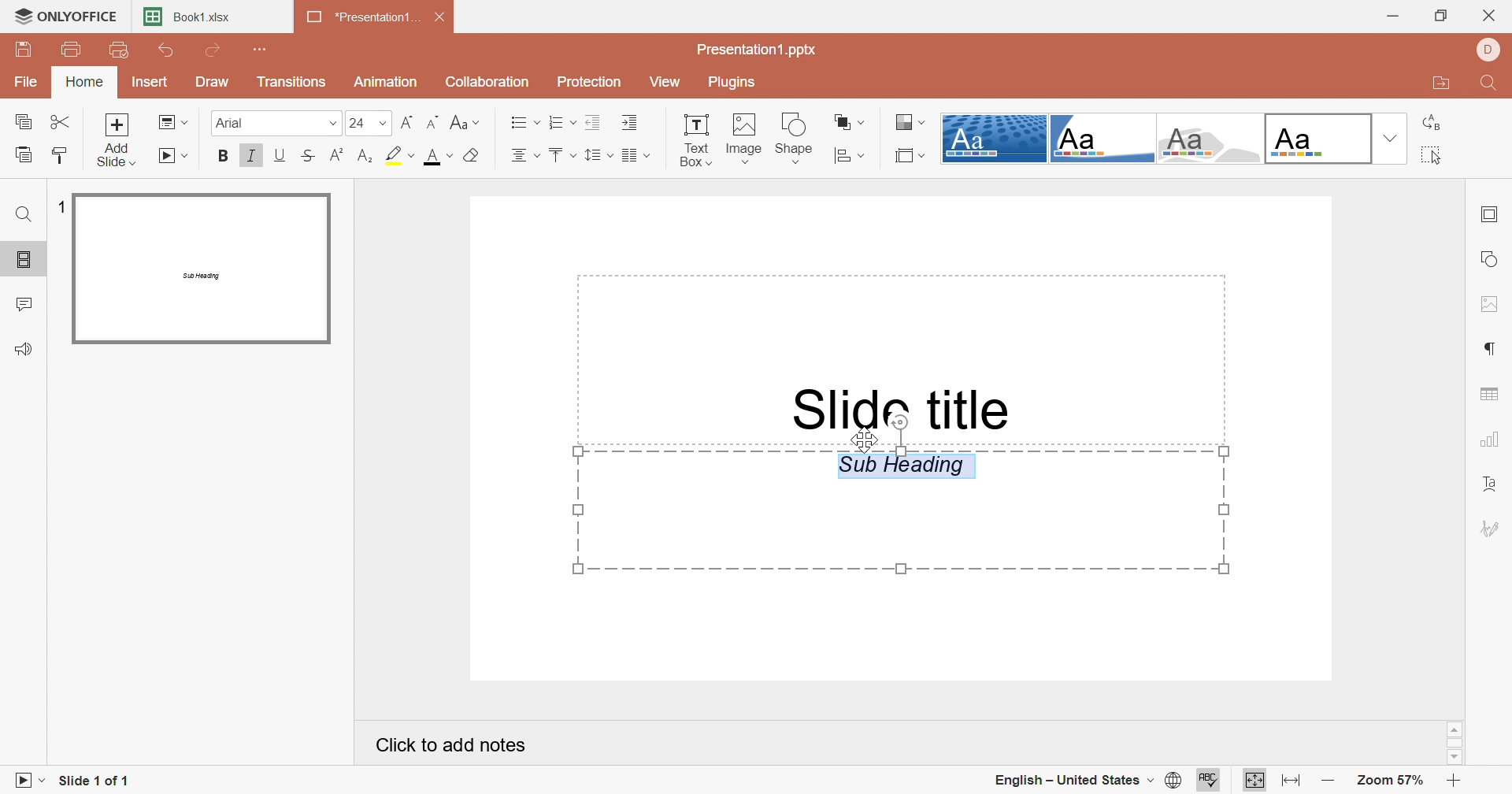  I want to click on Table settings, so click(1491, 394).